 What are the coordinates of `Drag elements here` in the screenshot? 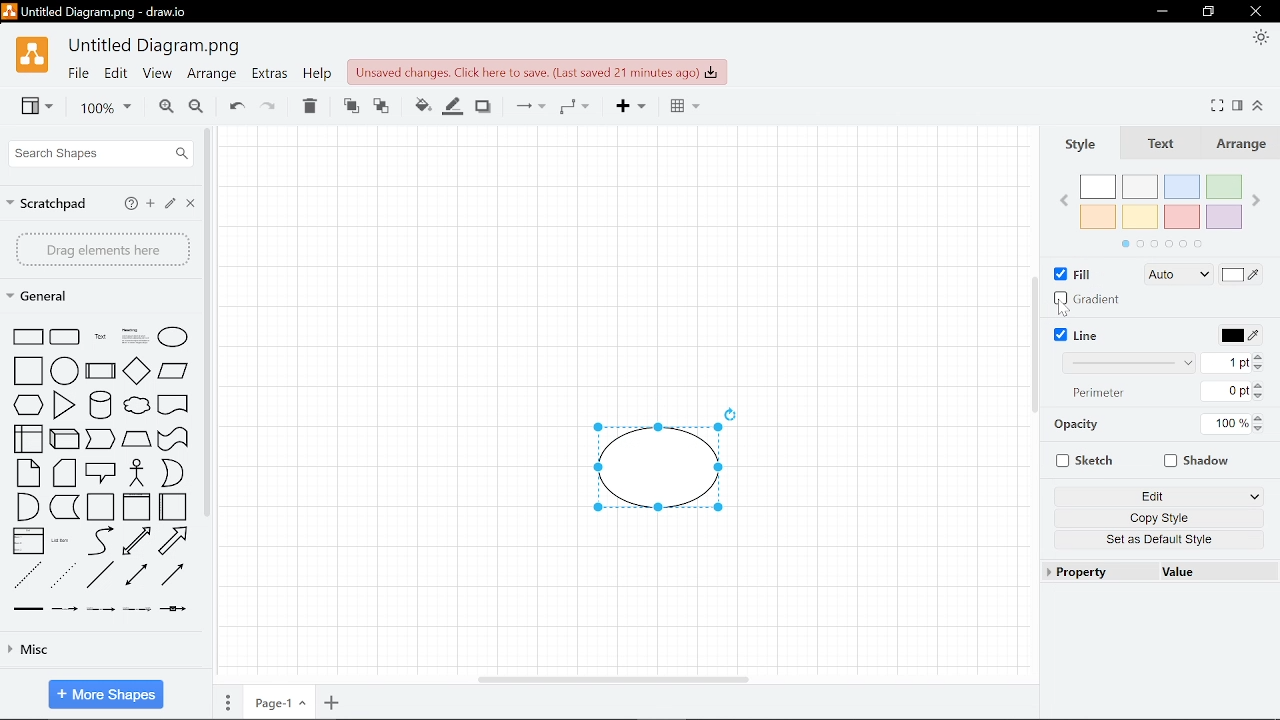 It's located at (104, 250).